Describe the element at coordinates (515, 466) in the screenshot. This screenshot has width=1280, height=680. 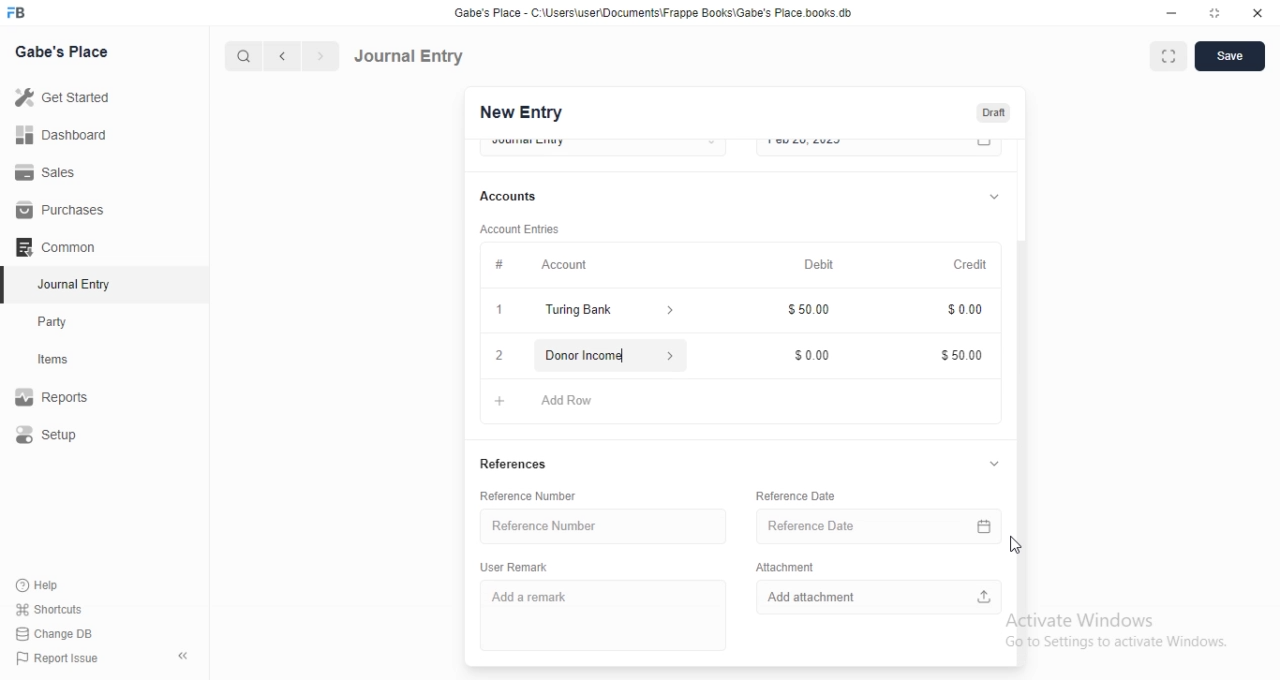
I see `References` at that location.